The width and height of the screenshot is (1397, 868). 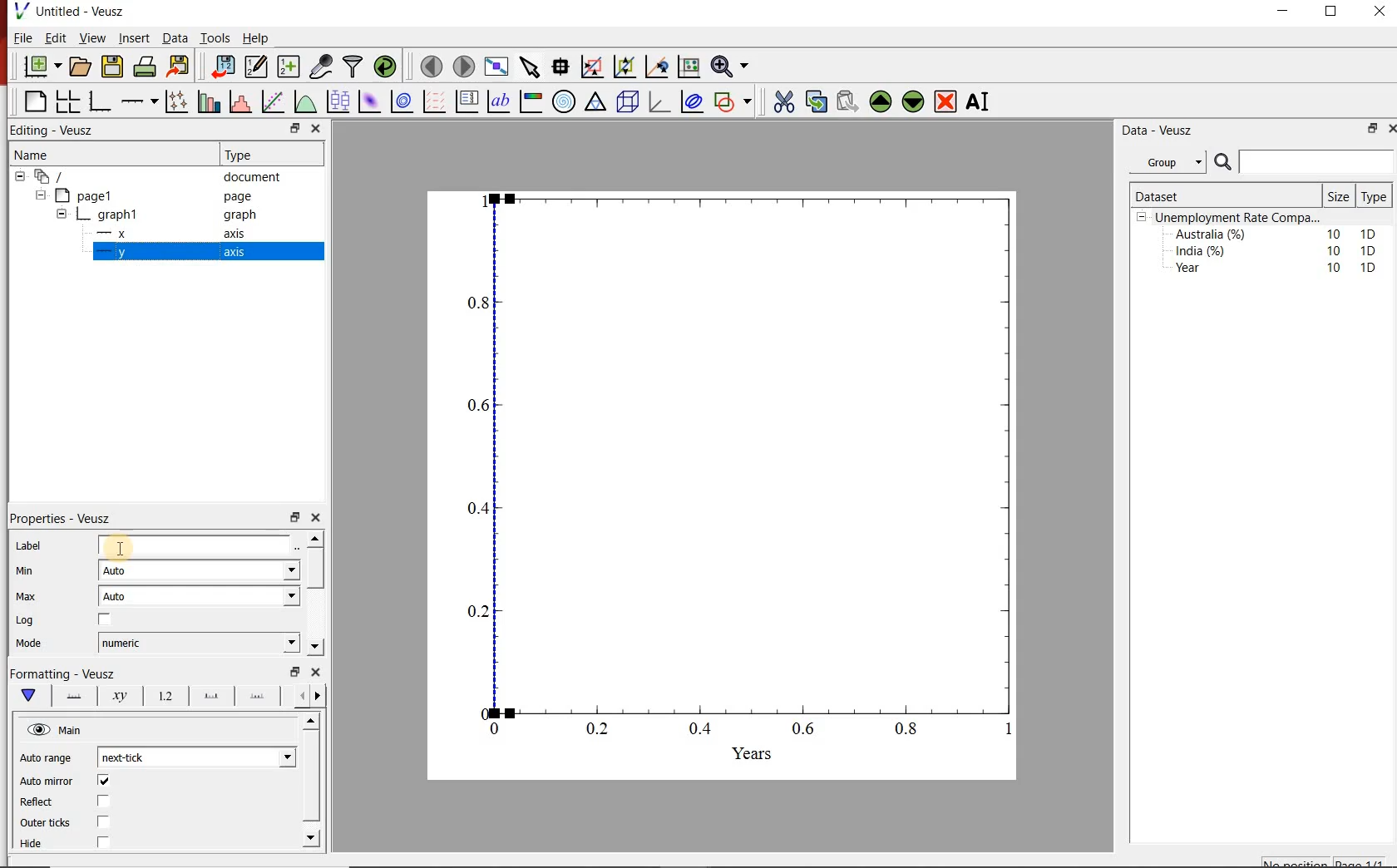 What do you see at coordinates (260, 155) in the screenshot?
I see `Type` at bounding box center [260, 155].